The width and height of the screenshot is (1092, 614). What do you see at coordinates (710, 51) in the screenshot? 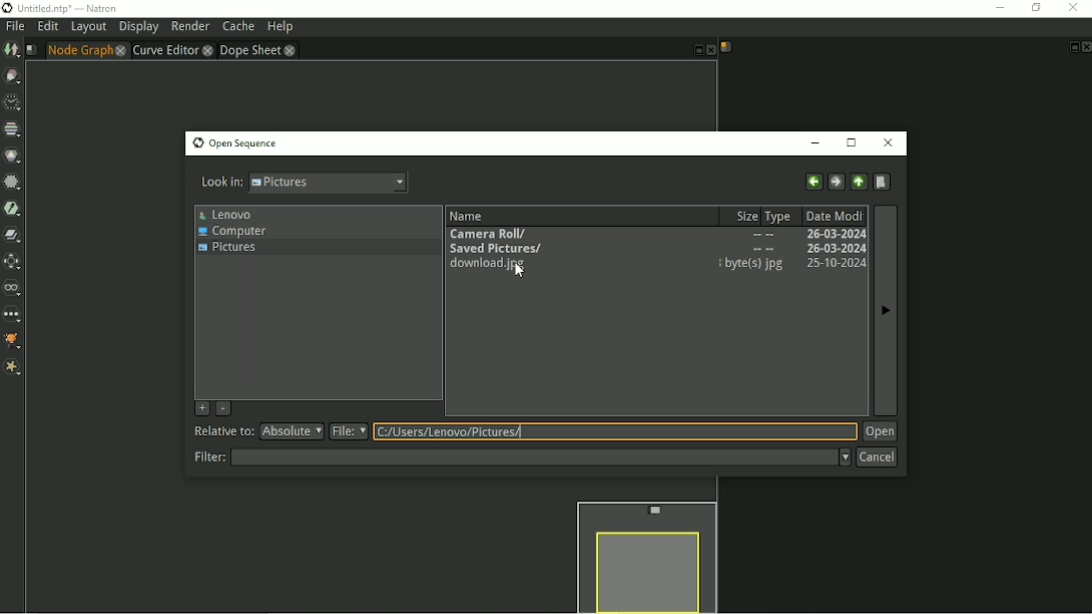
I see `Close` at bounding box center [710, 51].